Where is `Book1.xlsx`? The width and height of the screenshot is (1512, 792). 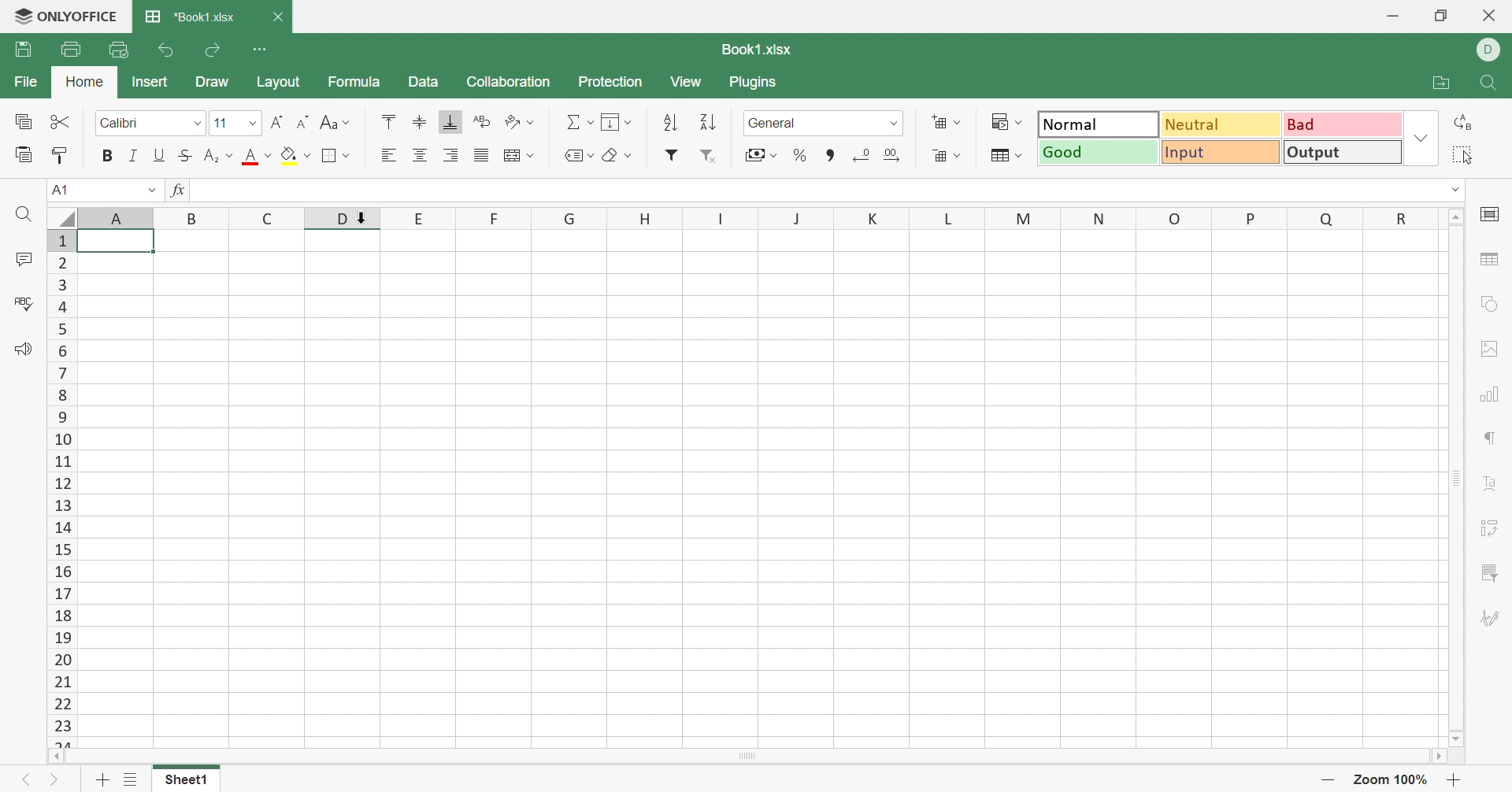
Book1.xlsx is located at coordinates (759, 47).